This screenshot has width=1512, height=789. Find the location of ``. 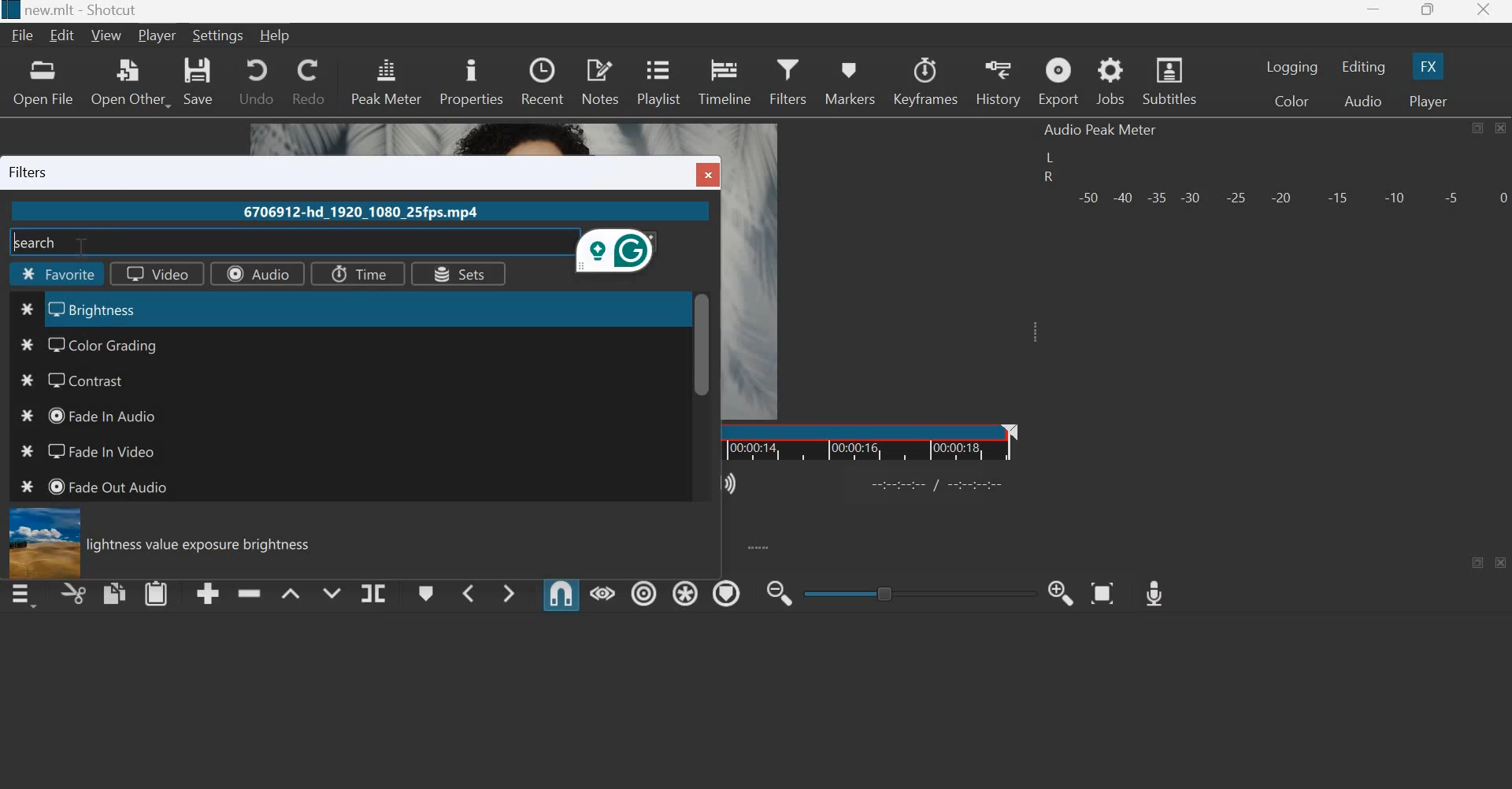

 is located at coordinates (711, 173).